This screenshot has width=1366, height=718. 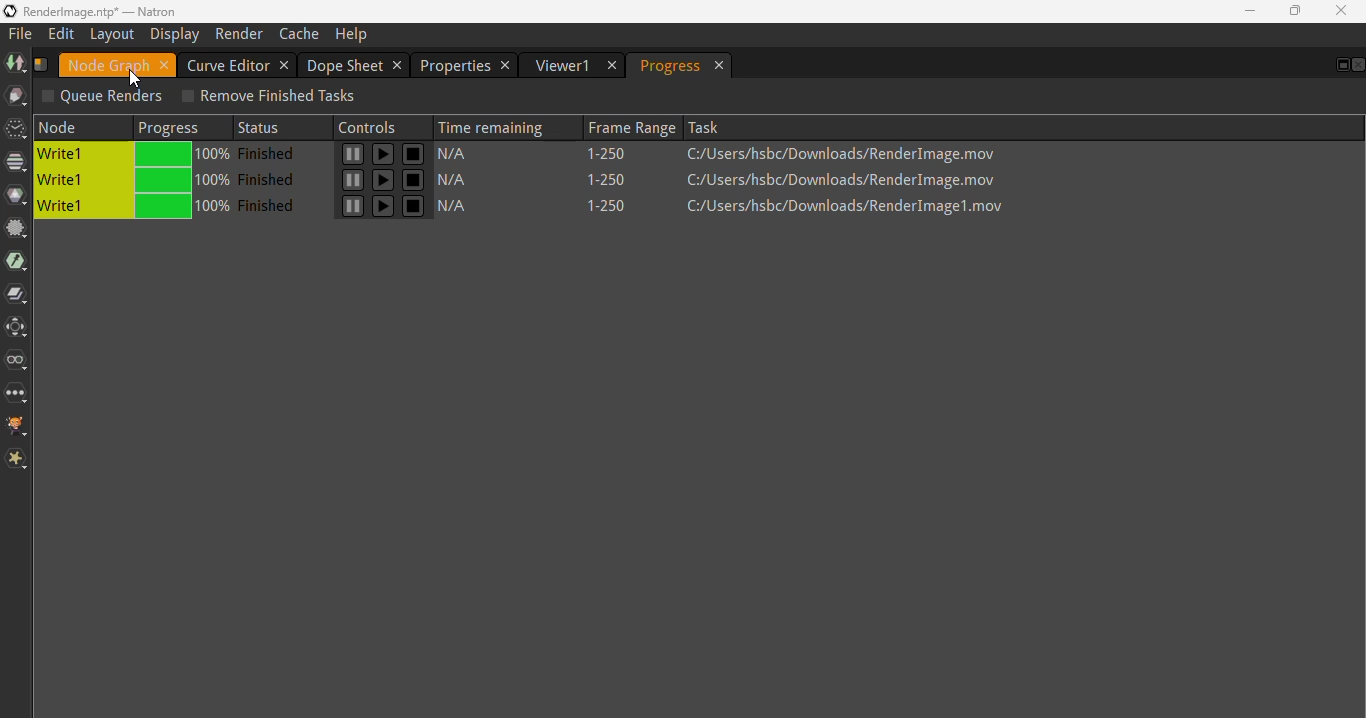 I want to click on image, so click(x=13, y=62).